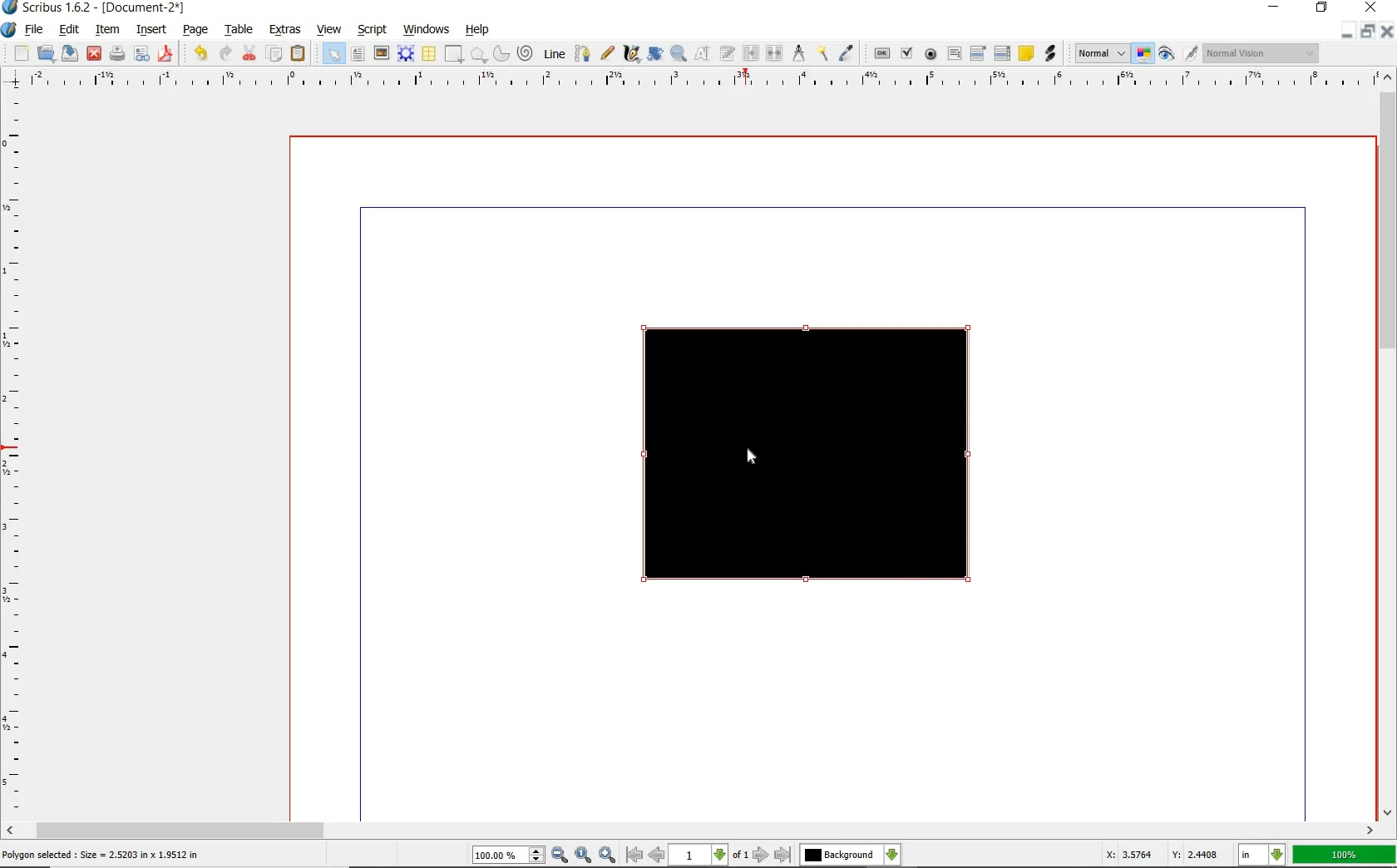 This screenshot has height=868, width=1397. I want to click on windows, so click(423, 29).